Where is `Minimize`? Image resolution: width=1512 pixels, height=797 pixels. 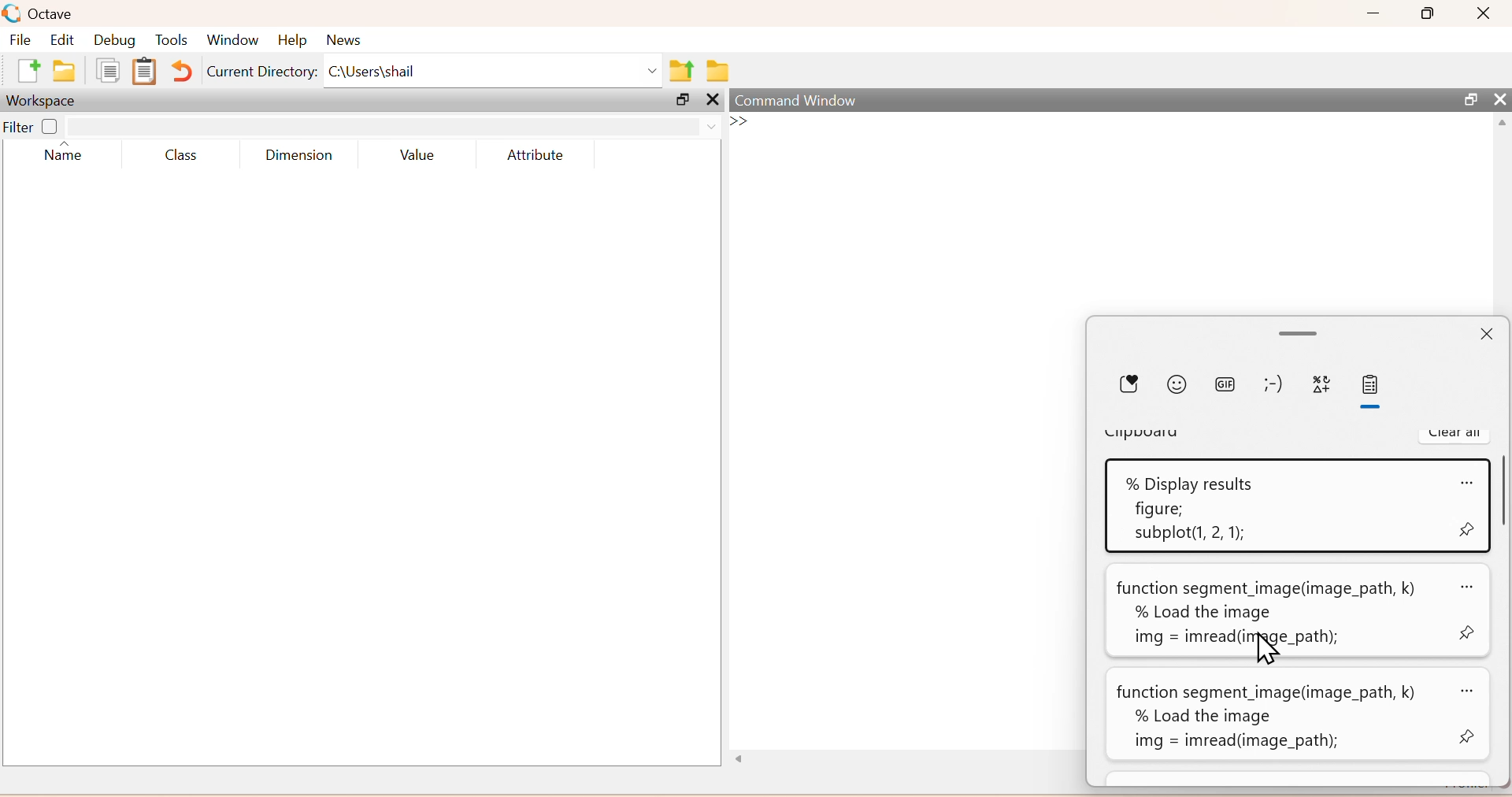
Minimize is located at coordinates (1375, 13).